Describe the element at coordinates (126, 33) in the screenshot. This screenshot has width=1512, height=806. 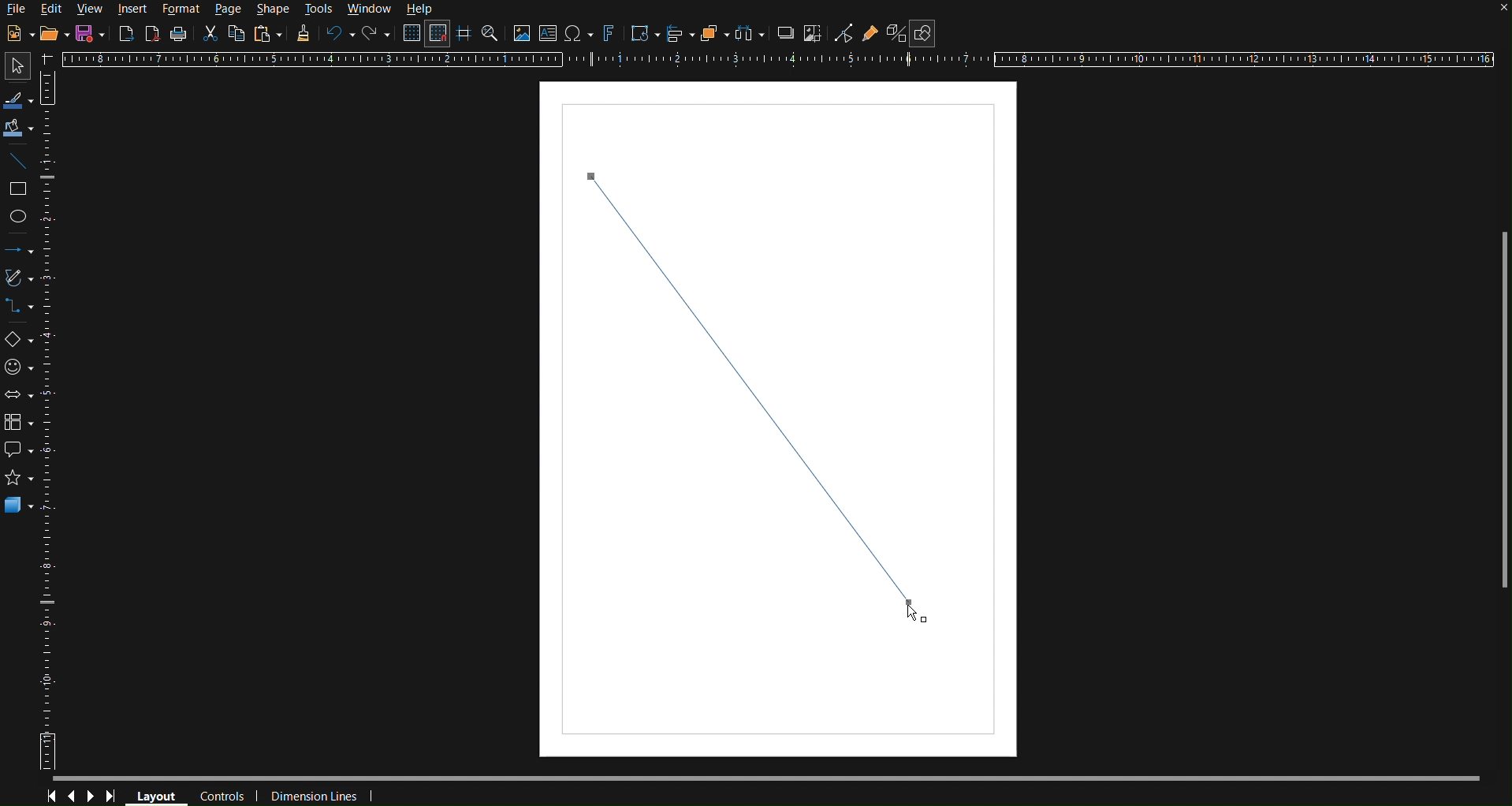
I see `Export` at that location.